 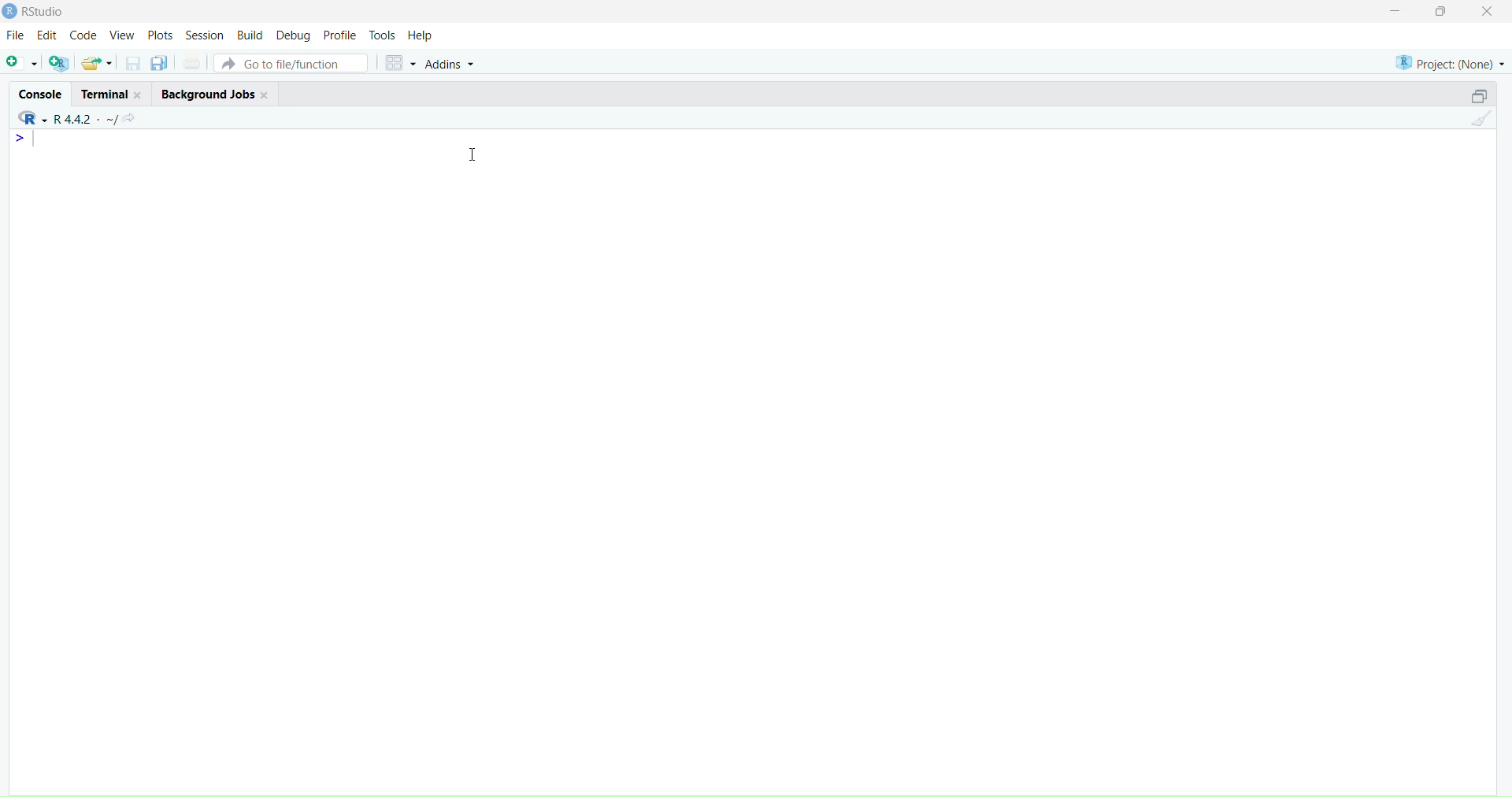 I want to click on profile, so click(x=340, y=36).